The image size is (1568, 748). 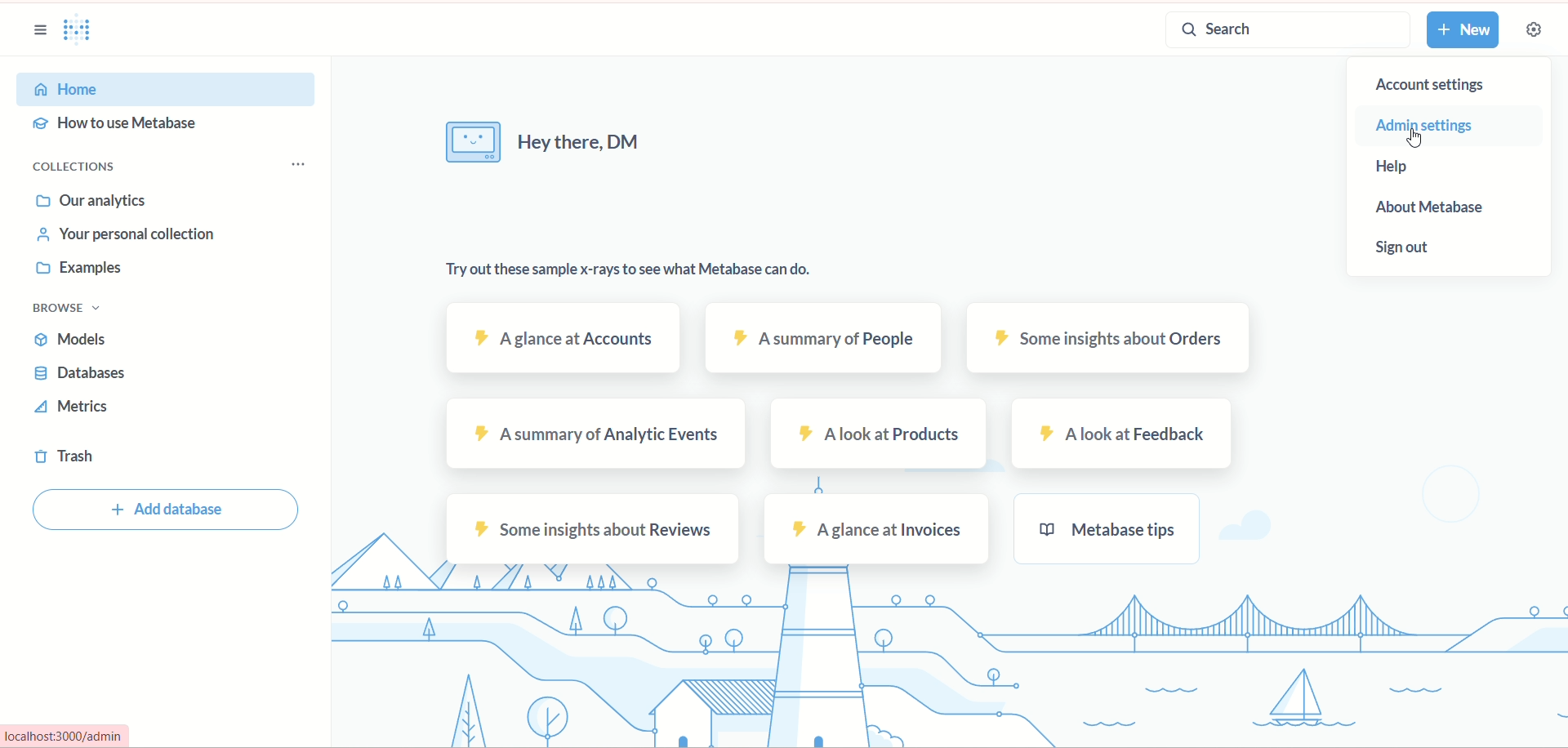 I want to click on account settings, so click(x=1437, y=85).